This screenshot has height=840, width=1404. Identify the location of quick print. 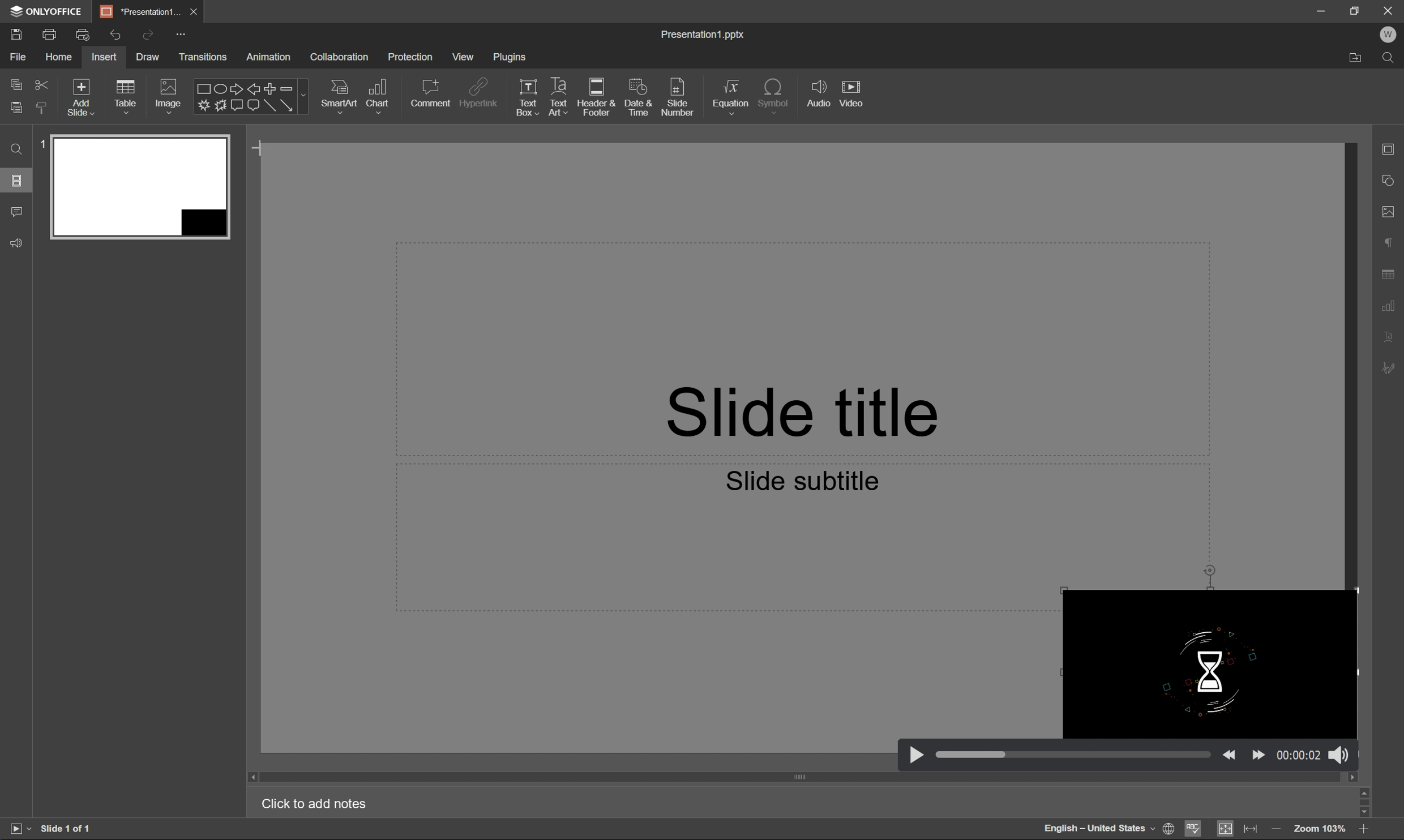
(82, 32).